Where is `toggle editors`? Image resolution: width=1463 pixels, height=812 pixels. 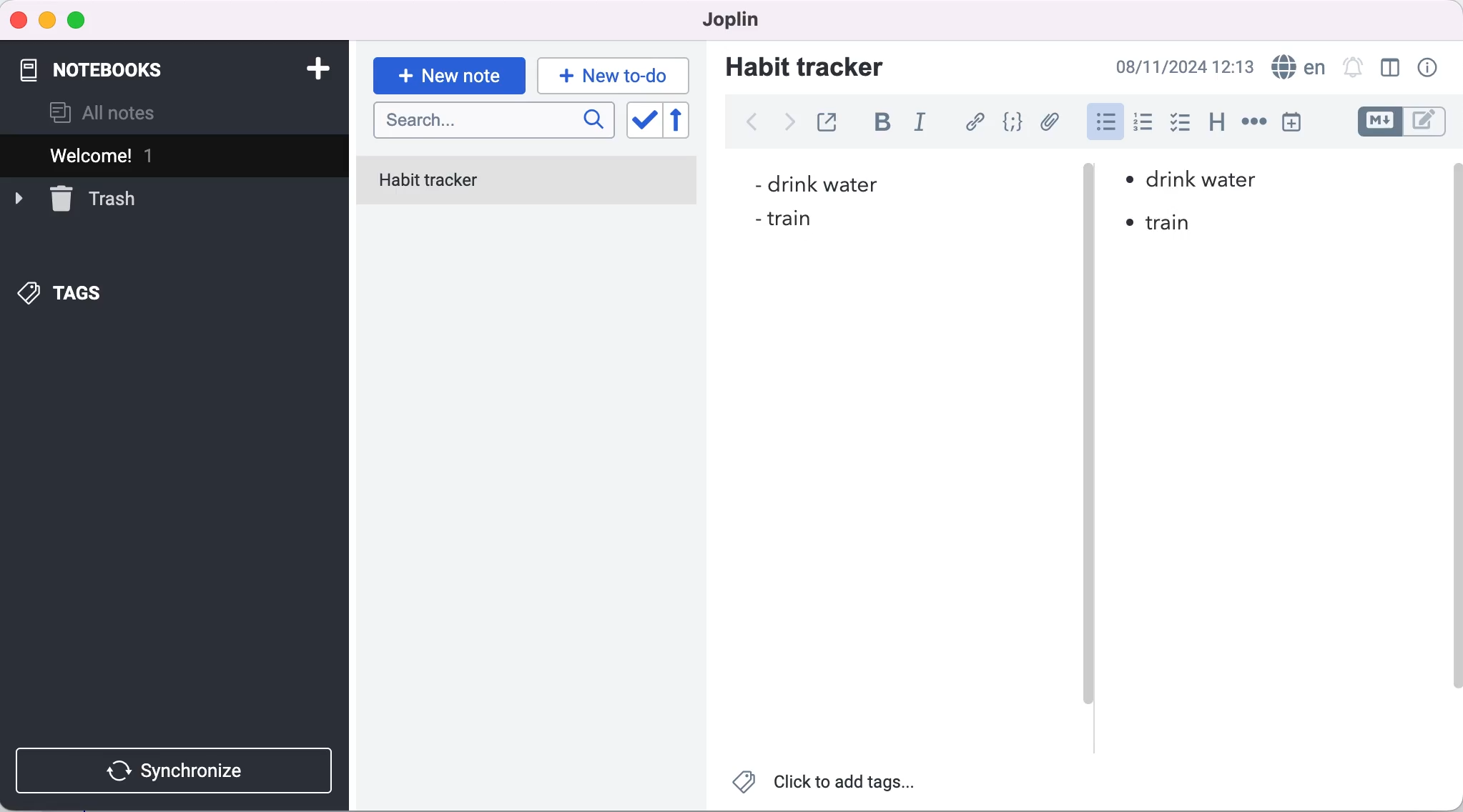 toggle editors is located at coordinates (1404, 122).